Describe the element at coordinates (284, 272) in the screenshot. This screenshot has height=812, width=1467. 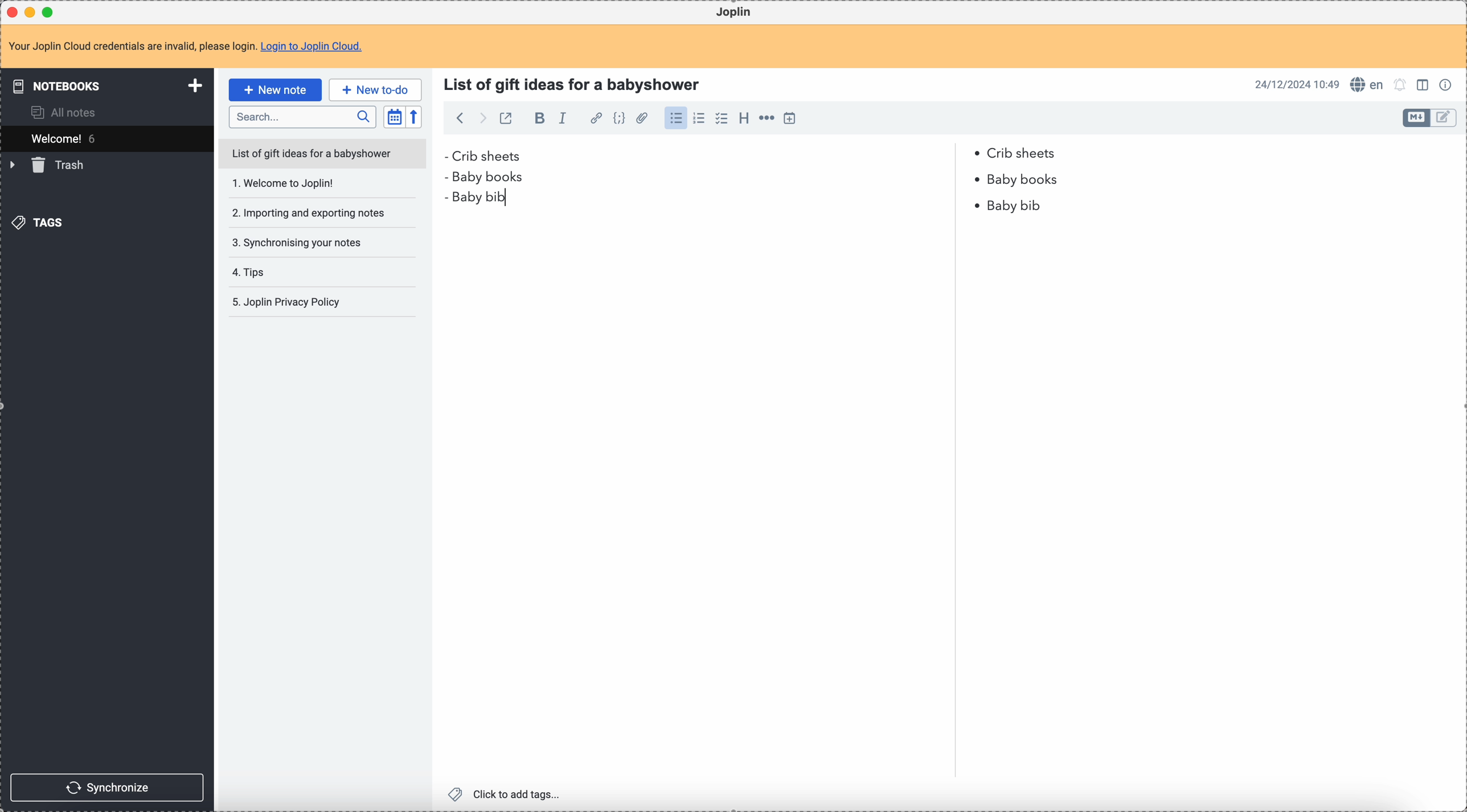
I see `tips` at that location.